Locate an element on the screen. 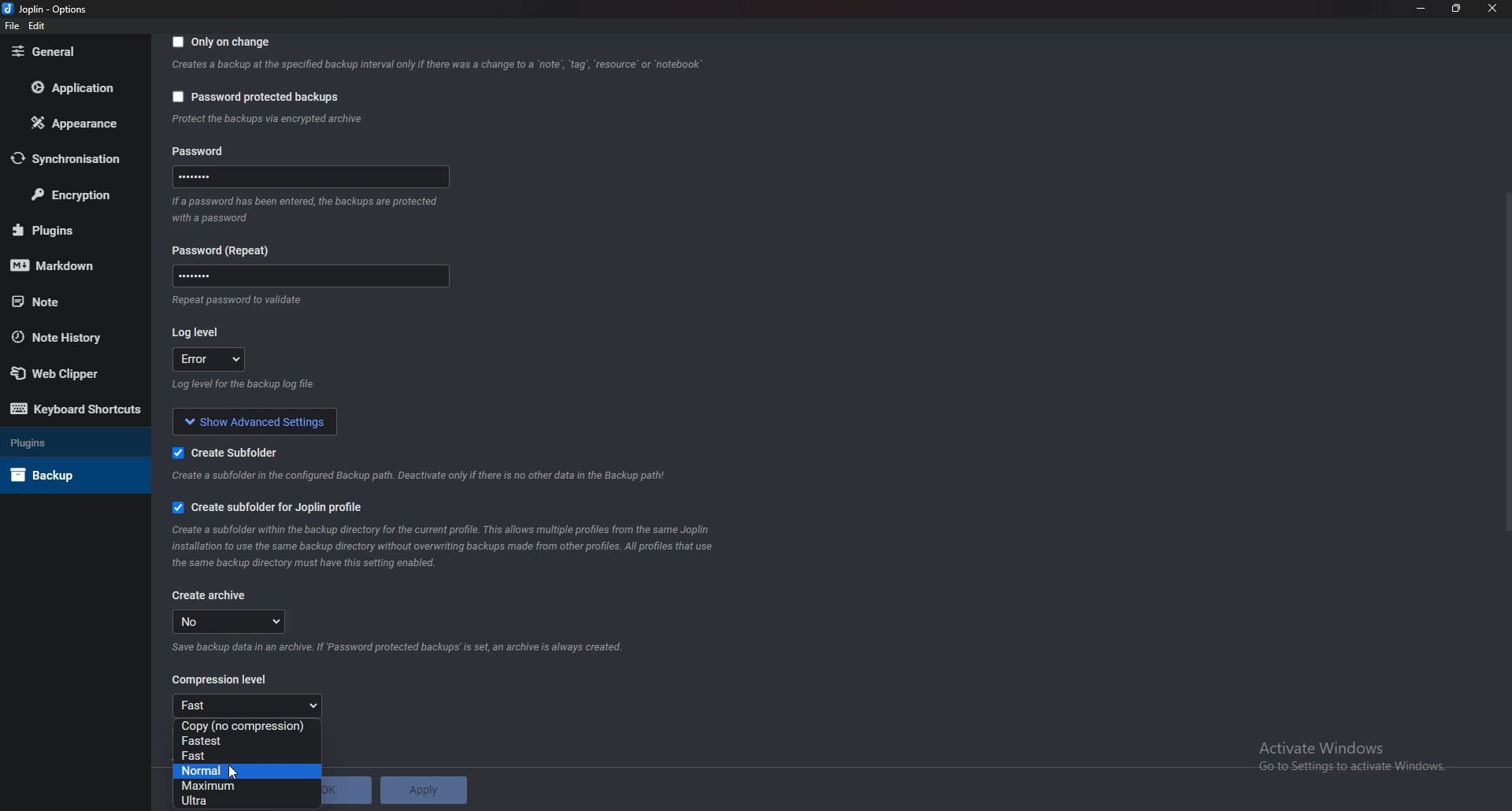 The height and width of the screenshot is (811, 1512). Info on subfolder for joplin profile is located at coordinates (457, 546).